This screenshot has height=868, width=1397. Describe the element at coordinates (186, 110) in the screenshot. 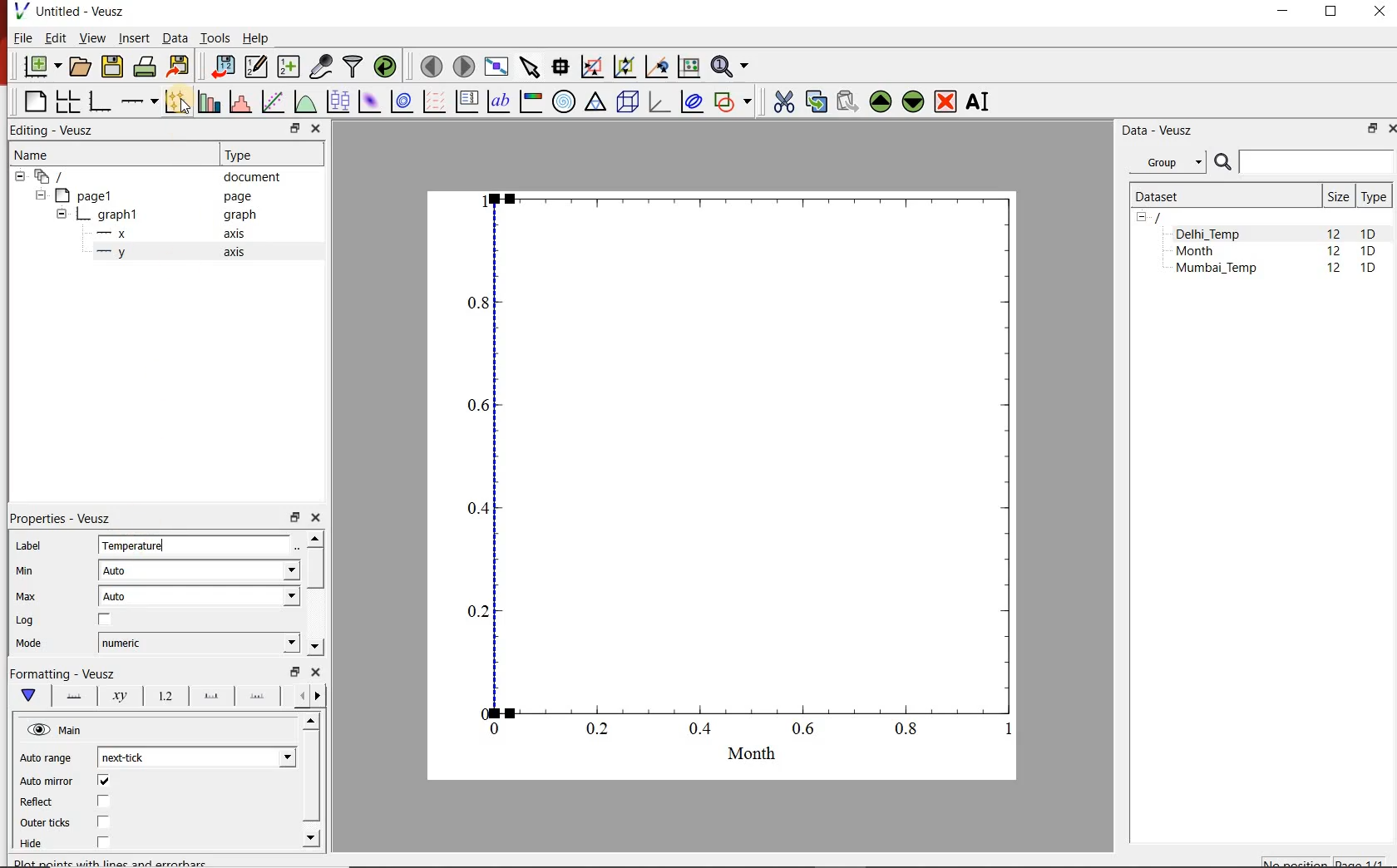

I see `cursor` at that location.